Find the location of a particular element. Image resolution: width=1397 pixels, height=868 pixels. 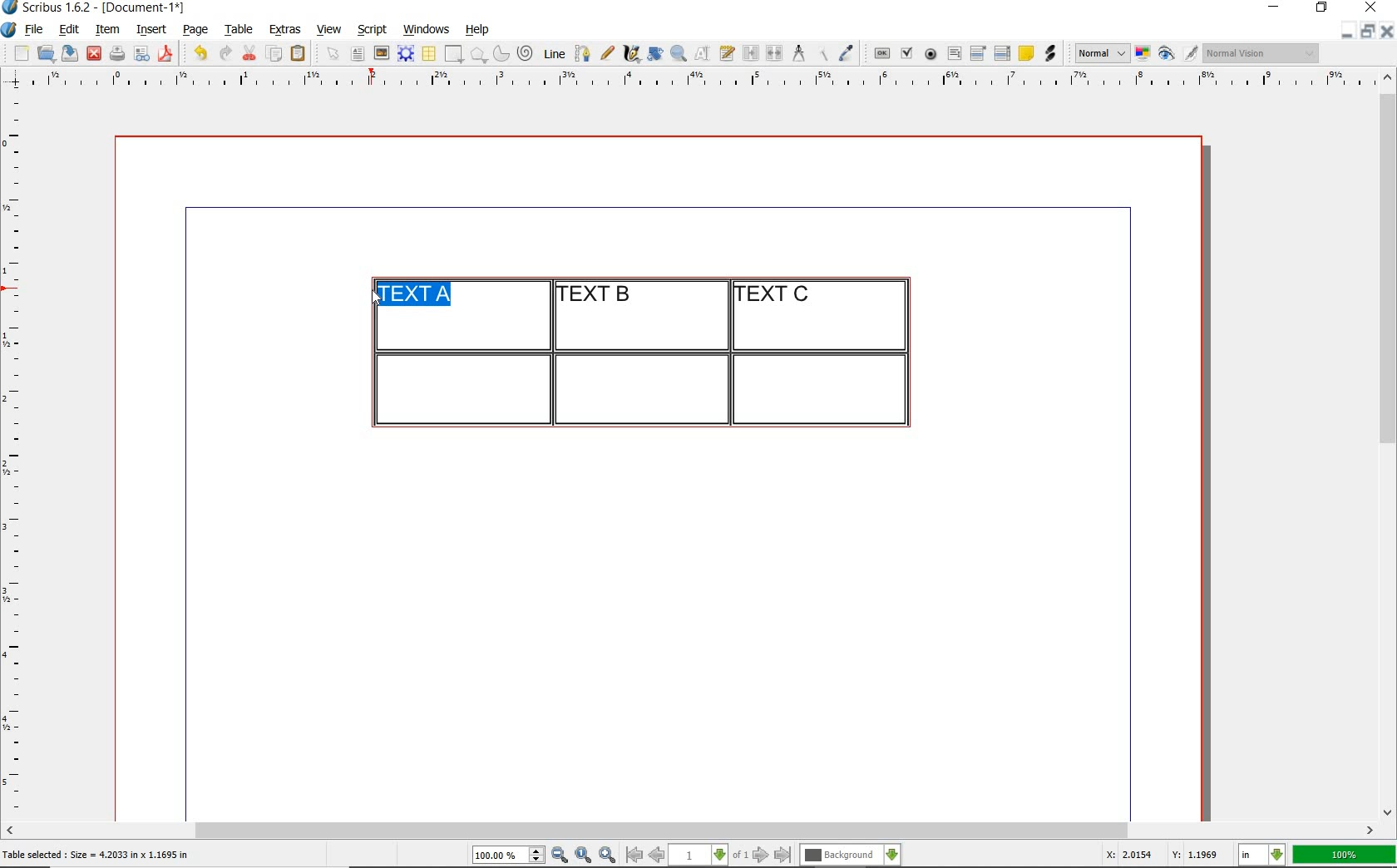

go to previous page is located at coordinates (656, 856).